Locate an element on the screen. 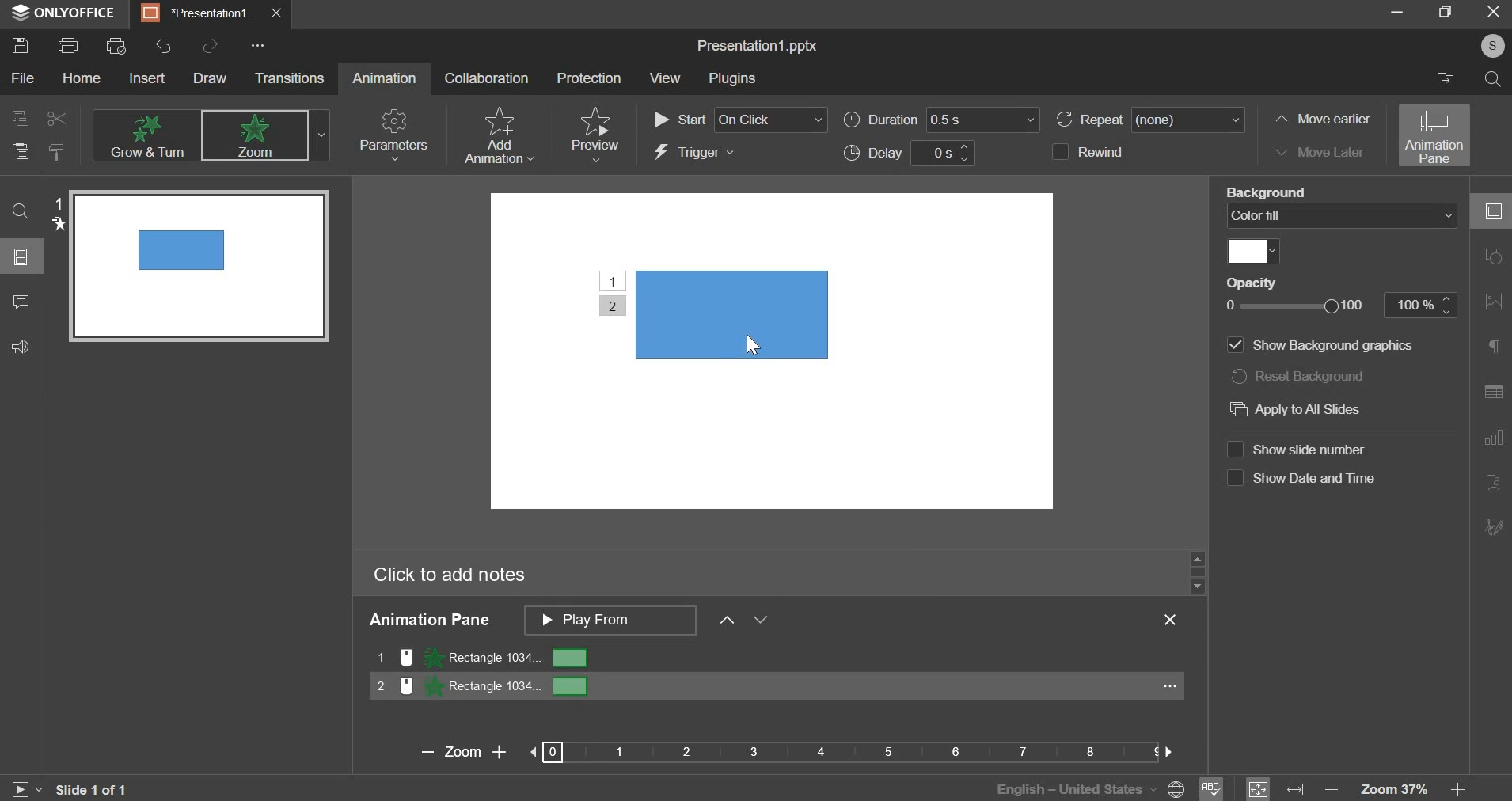  draw is located at coordinates (215, 78).